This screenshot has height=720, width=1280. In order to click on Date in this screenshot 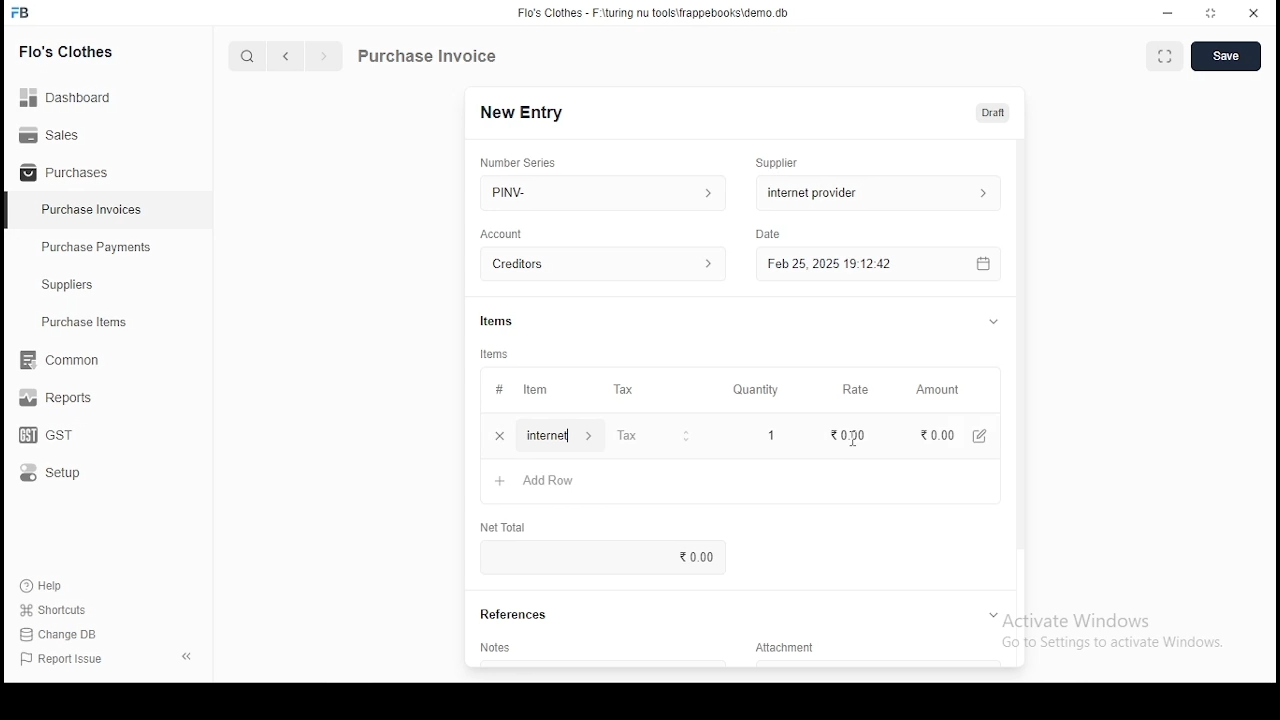, I will do `click(770, 235)`.